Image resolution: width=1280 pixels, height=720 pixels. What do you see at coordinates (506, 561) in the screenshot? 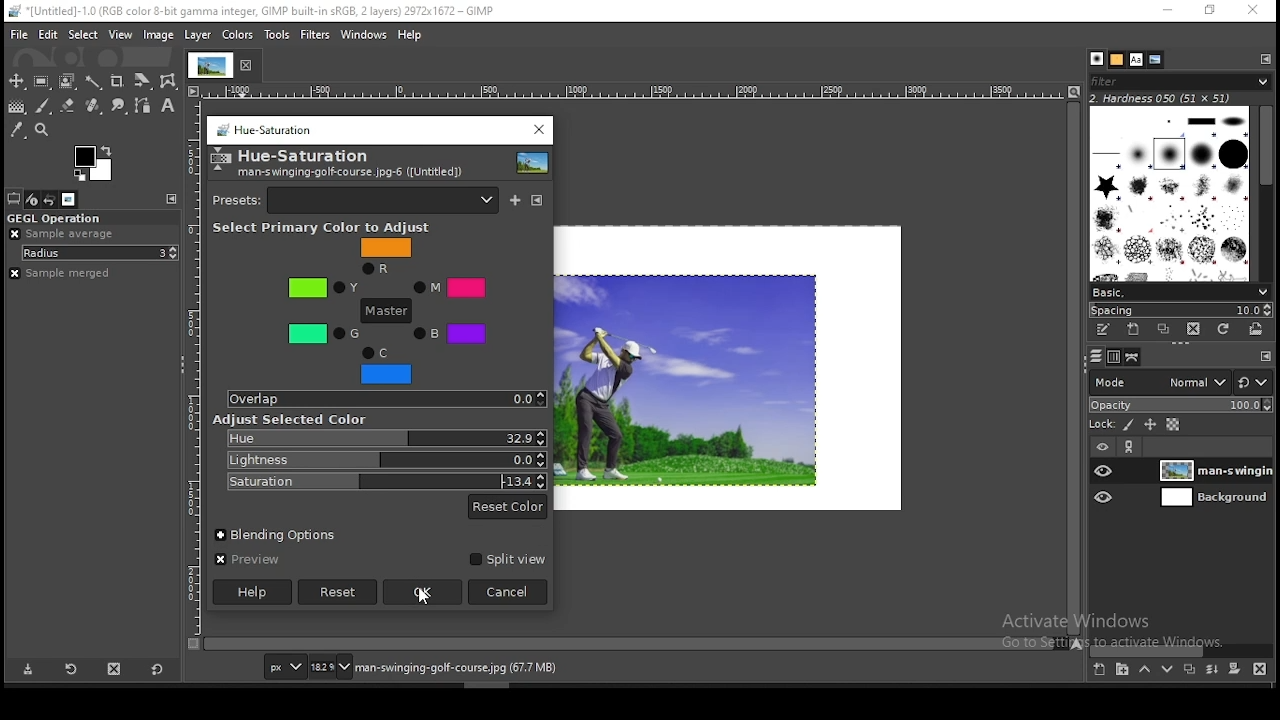
I see `split view` at bounding box center [506, 561].